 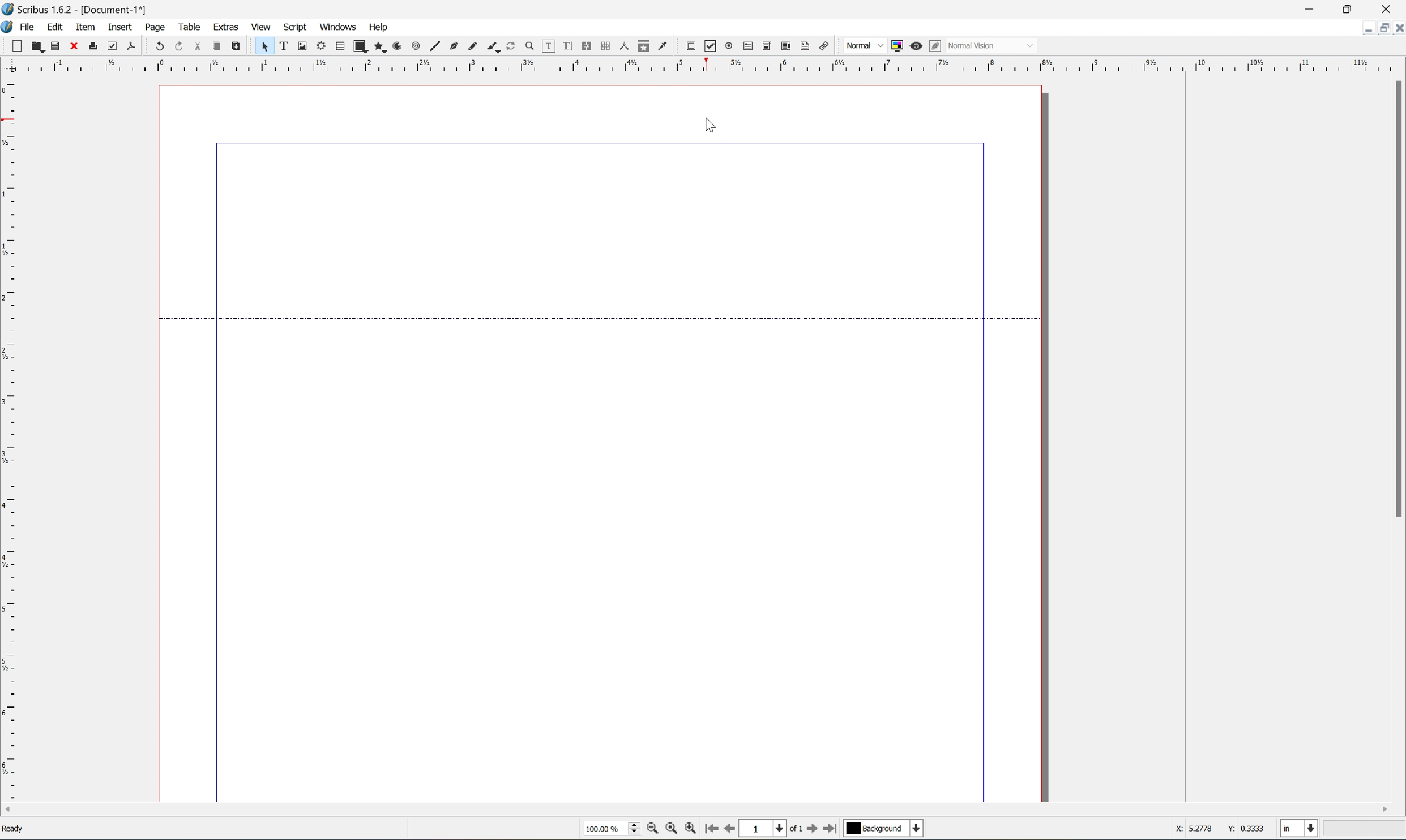 I want to click on pdf checkbox, so click(x=711, y=46).